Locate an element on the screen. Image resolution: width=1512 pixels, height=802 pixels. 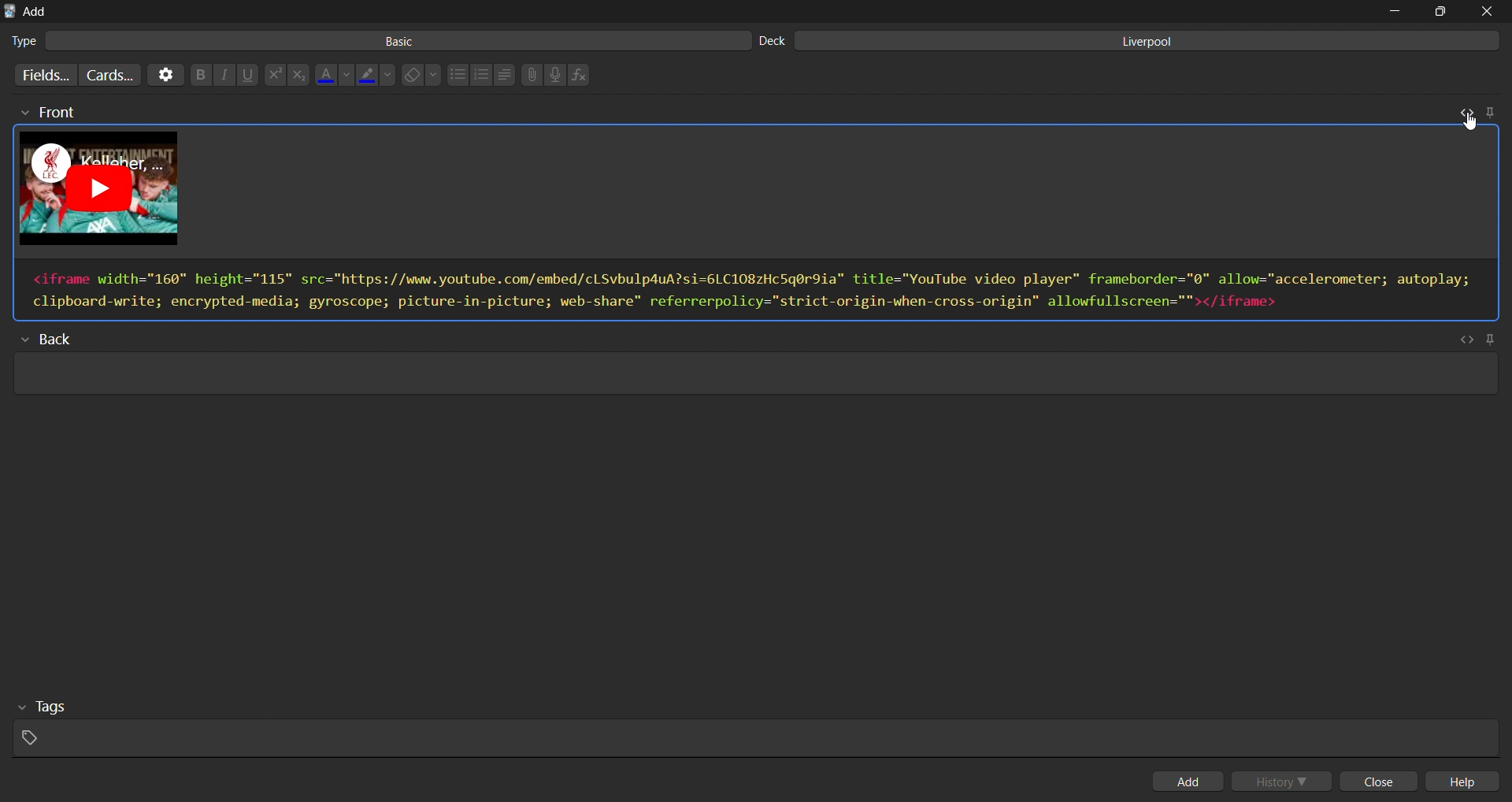
toggle html editor is located at coordinates (1463, 111).